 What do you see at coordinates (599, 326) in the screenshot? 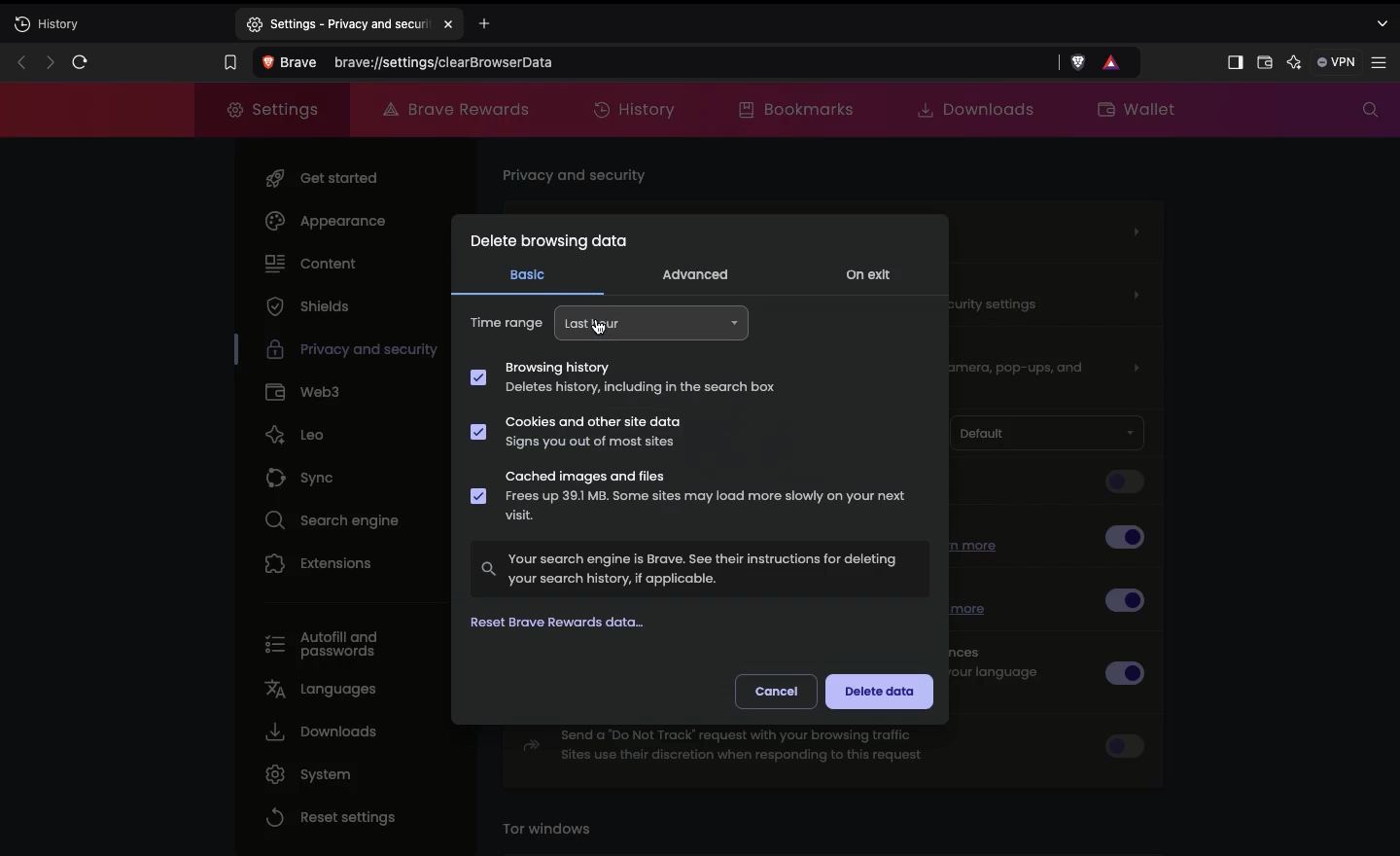
I see `cursor` at bounding box center [599, 326].